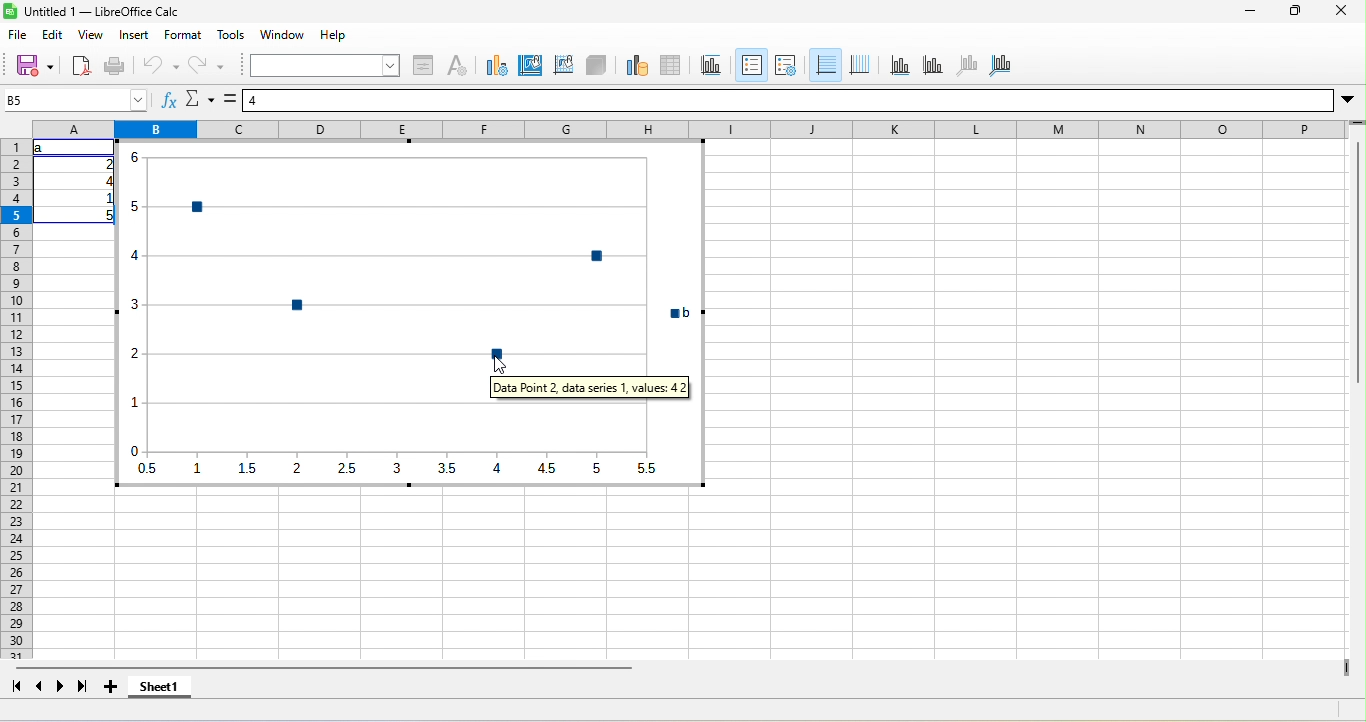 The image size is (1366, 722). Describe the element at coordinates (671, 67) in the screenshot. I see `data table` at that location.